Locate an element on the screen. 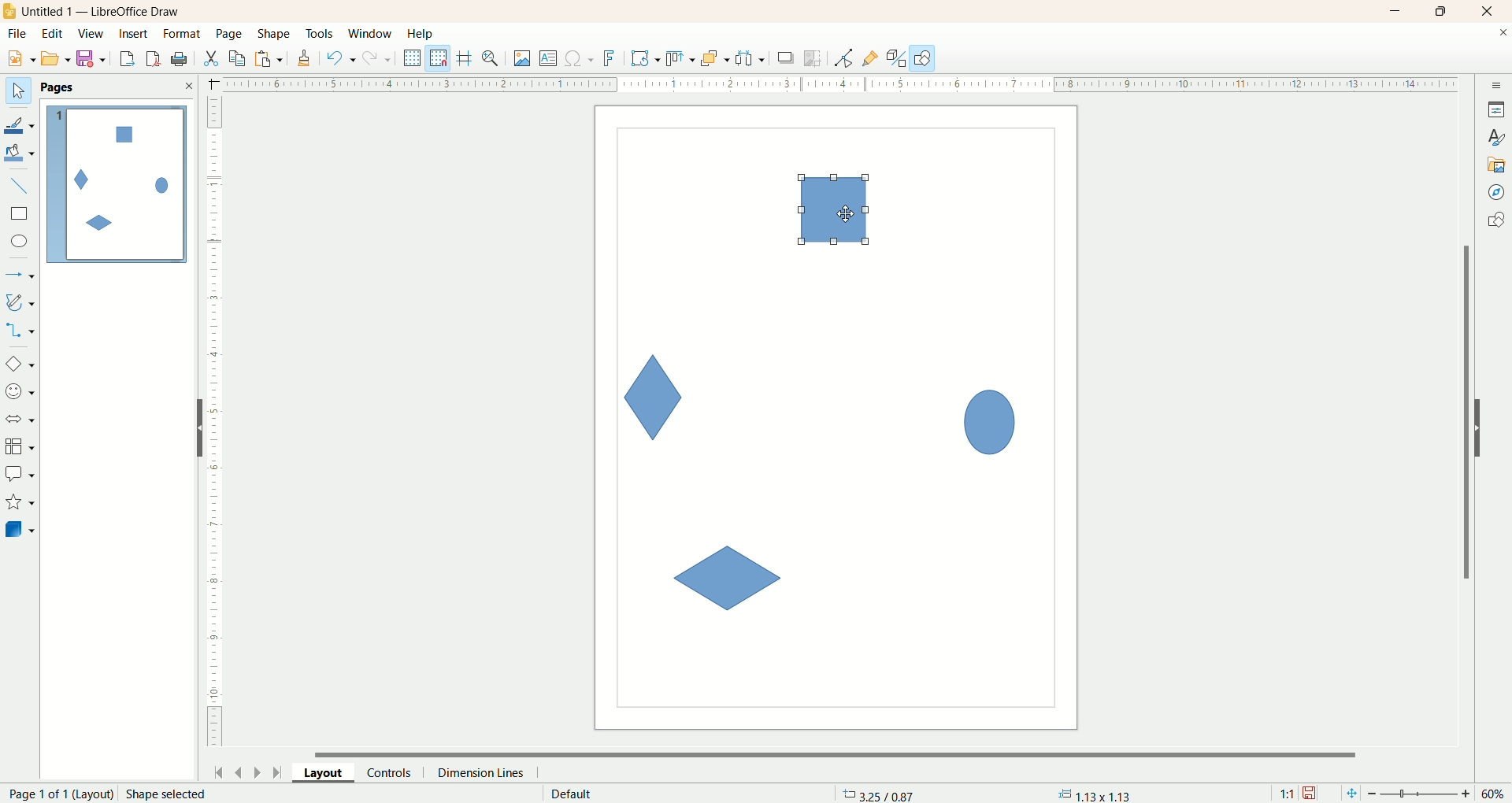 This screenshot has height=803, width=1512. view is located at coordinates (92, 34).